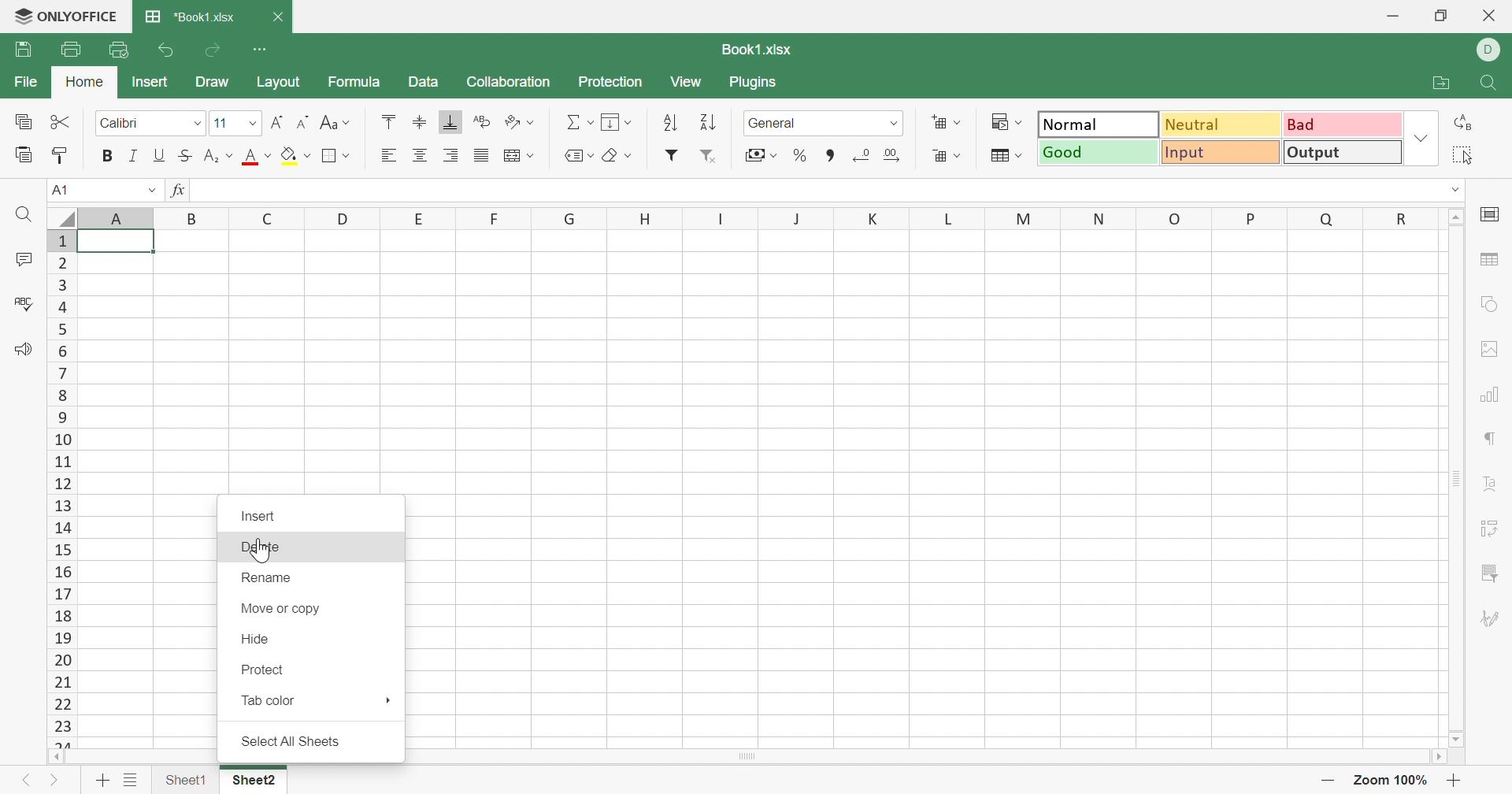  I want to click on Change case, so click(325, 122).